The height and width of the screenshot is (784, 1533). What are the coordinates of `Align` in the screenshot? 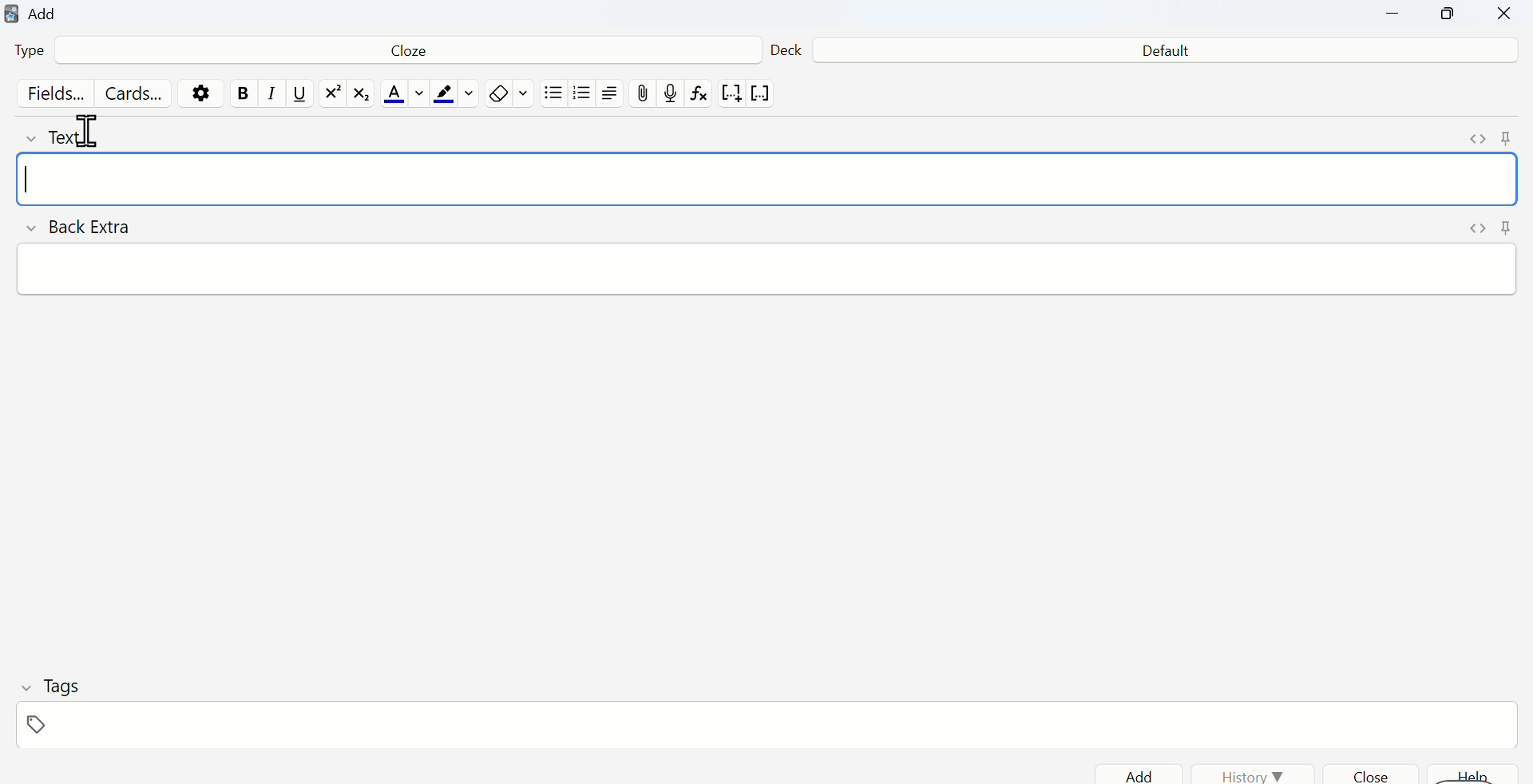 It's located at (614, 95).